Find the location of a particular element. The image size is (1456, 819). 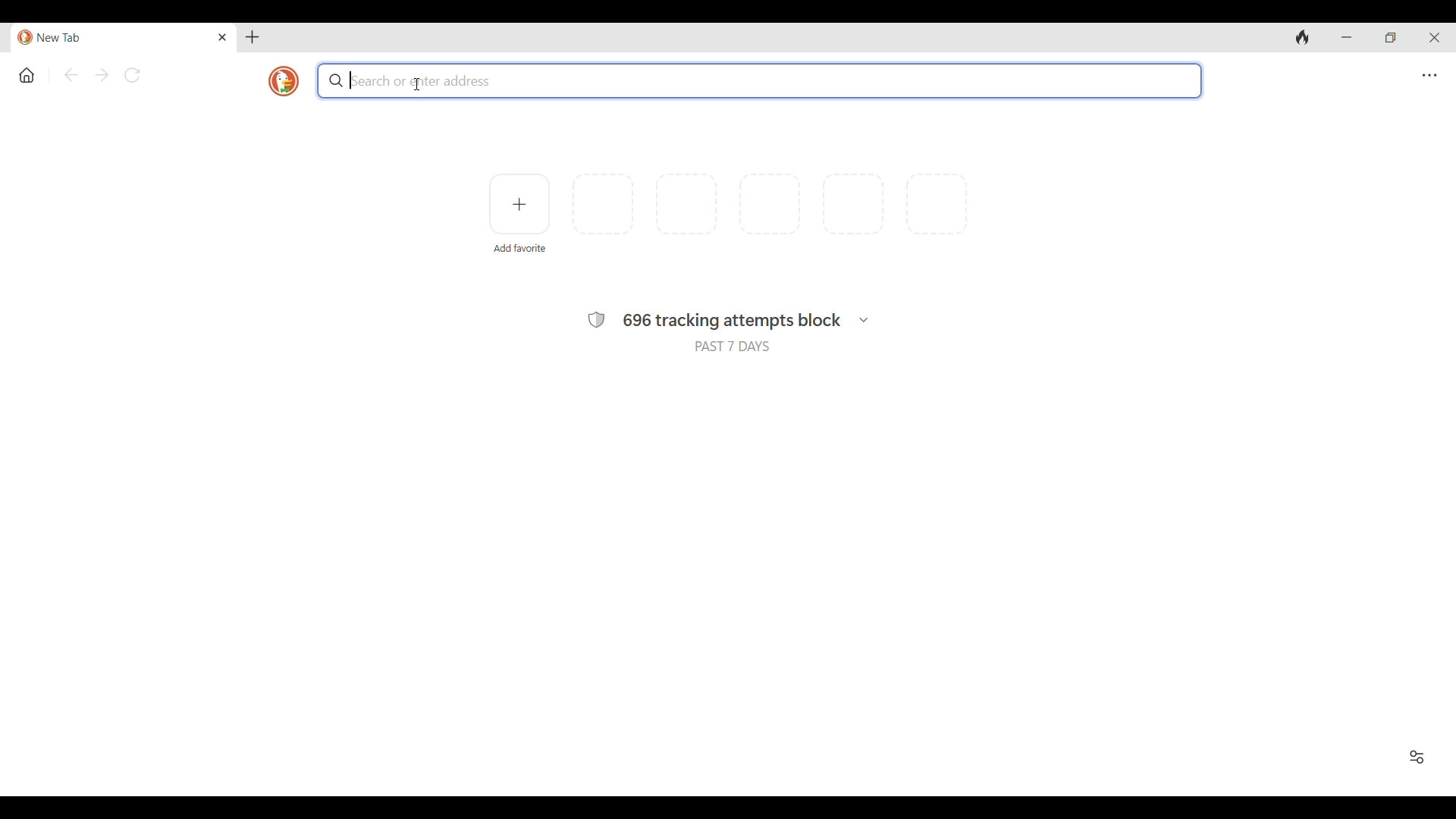

Add shortcuts to other pages is located at coordinates (519, 204).